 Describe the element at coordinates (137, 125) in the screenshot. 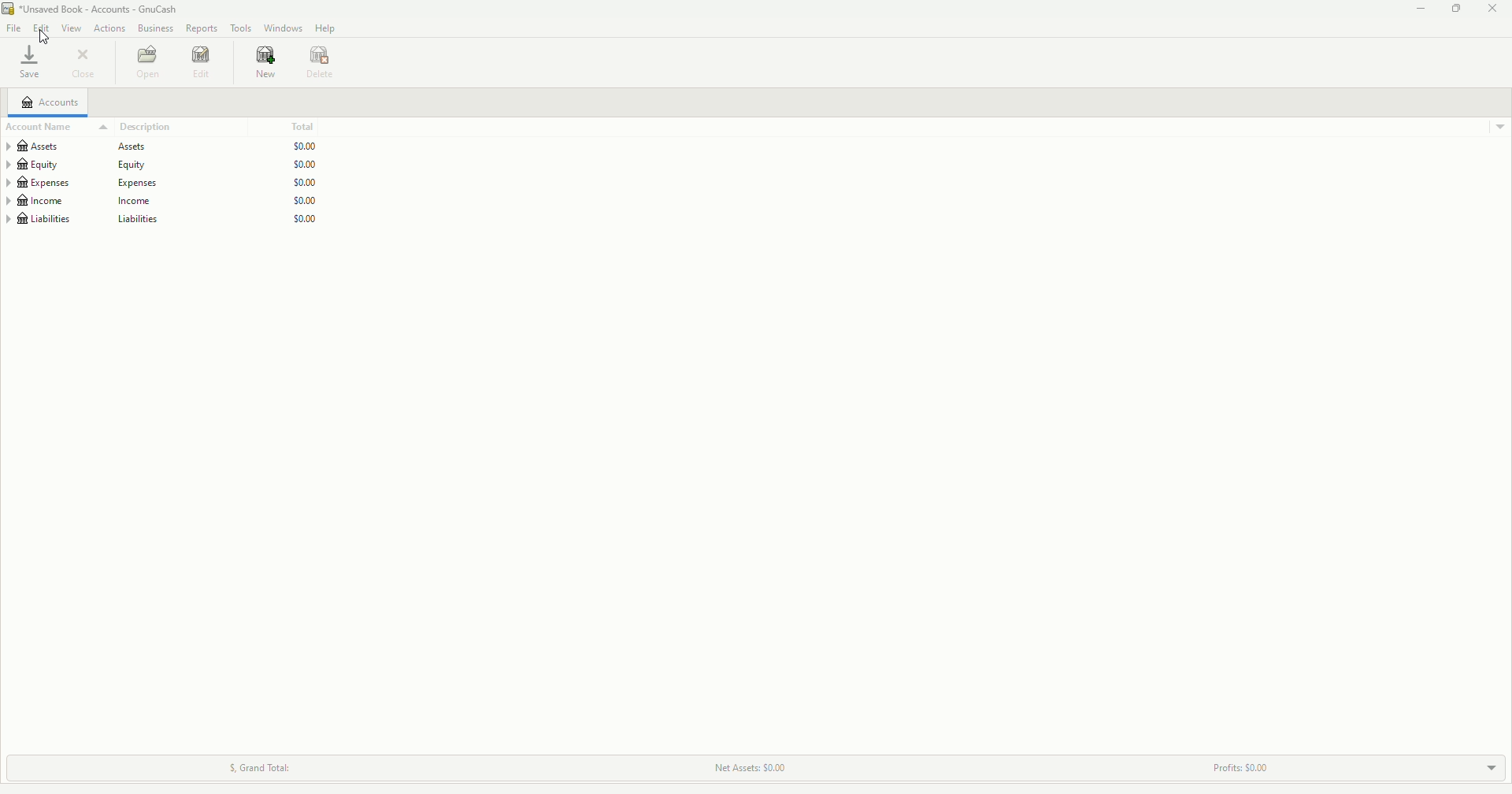

I see `Description` at that location.